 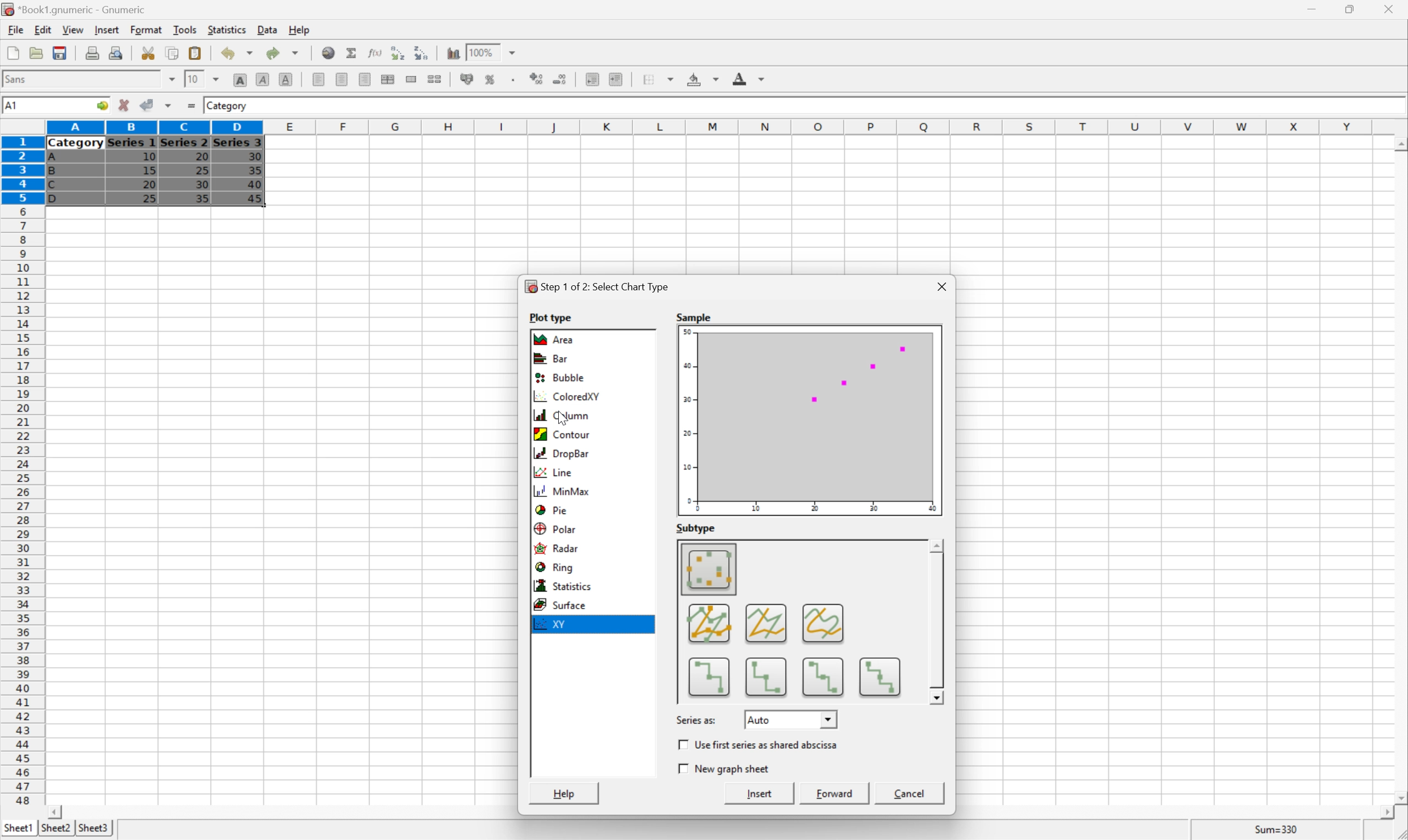 I want to click on Bold, so click(x=241, y=78).